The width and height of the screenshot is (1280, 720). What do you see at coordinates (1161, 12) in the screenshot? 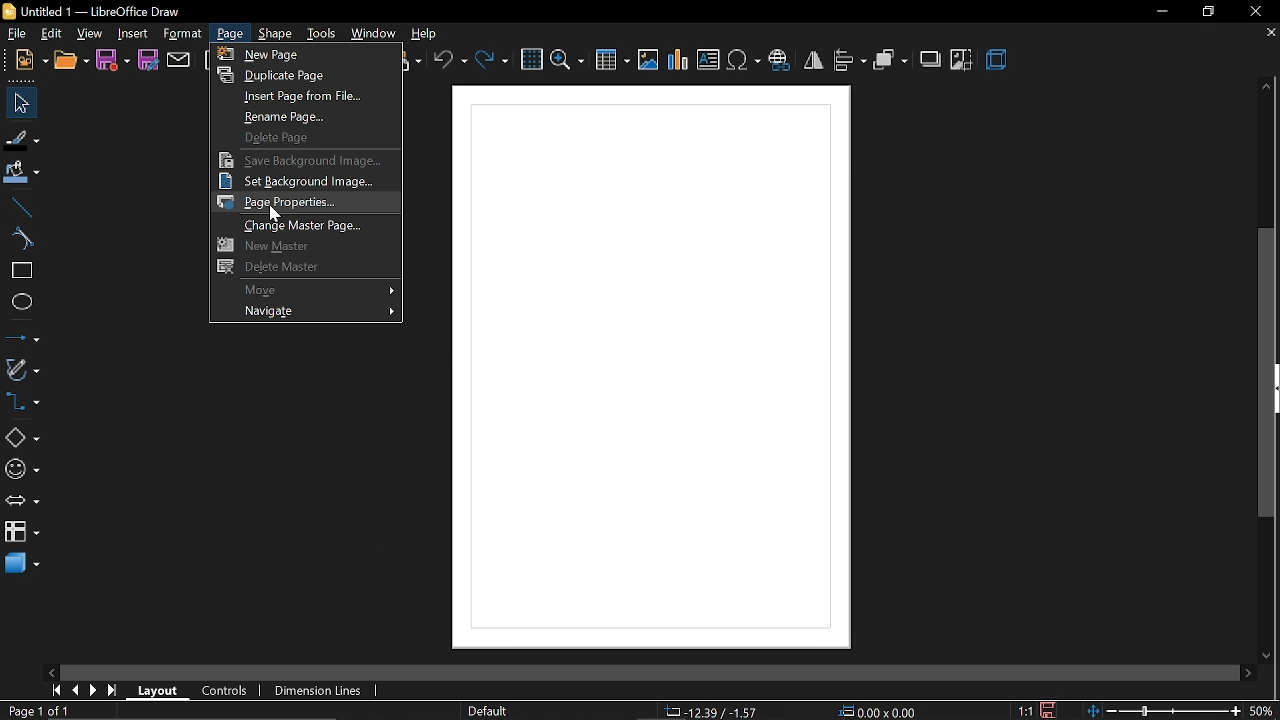
I see `minimize` at bounding box center [1161, 12].